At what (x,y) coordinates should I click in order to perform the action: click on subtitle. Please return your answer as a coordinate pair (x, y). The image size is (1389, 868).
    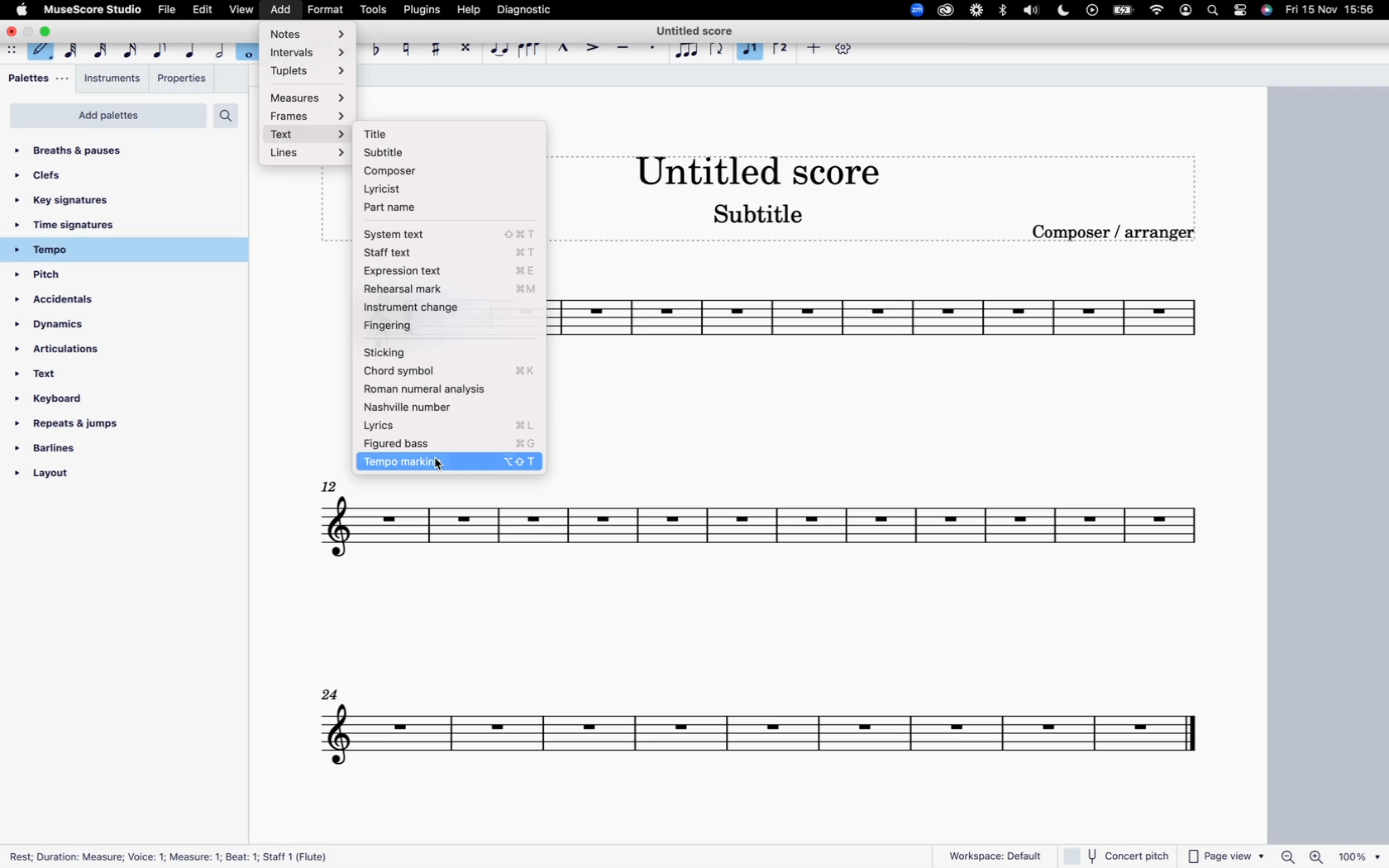
    Looking at the image, I should click on (441, 150).